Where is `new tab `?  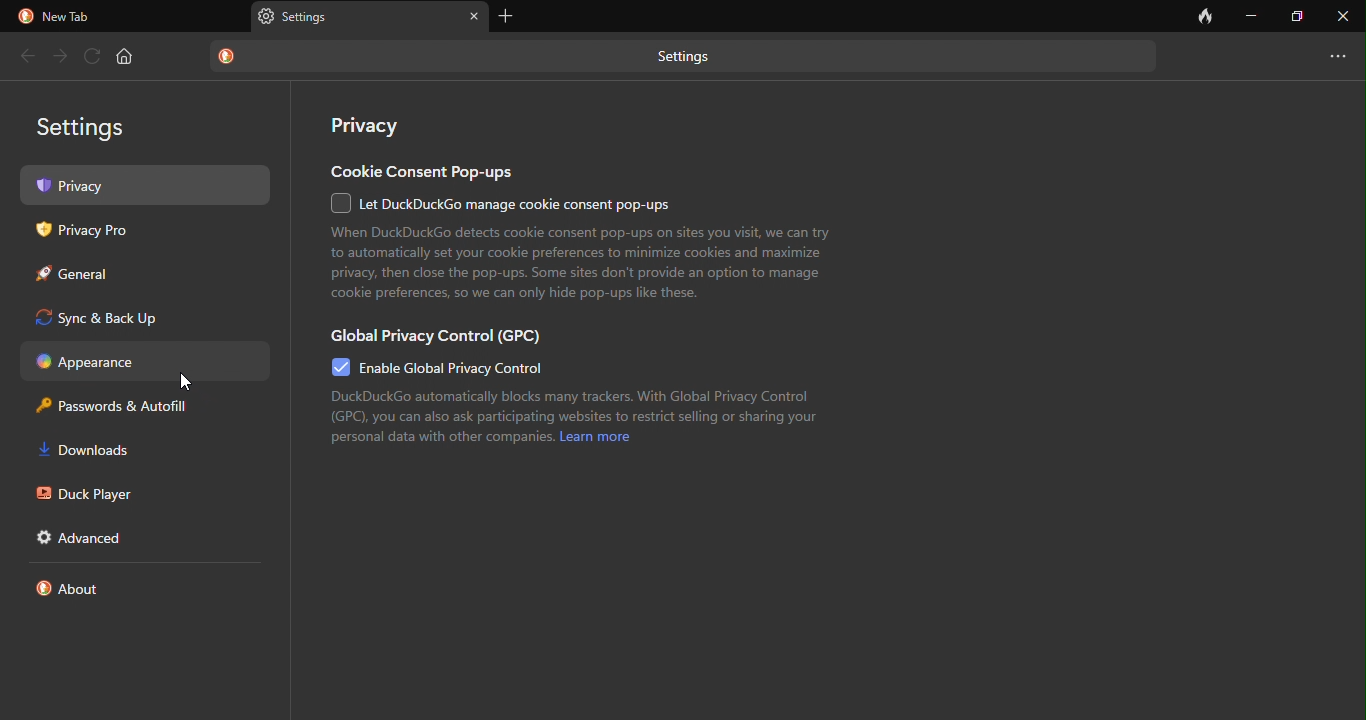
new tab  is located at coordinates (73, 17).